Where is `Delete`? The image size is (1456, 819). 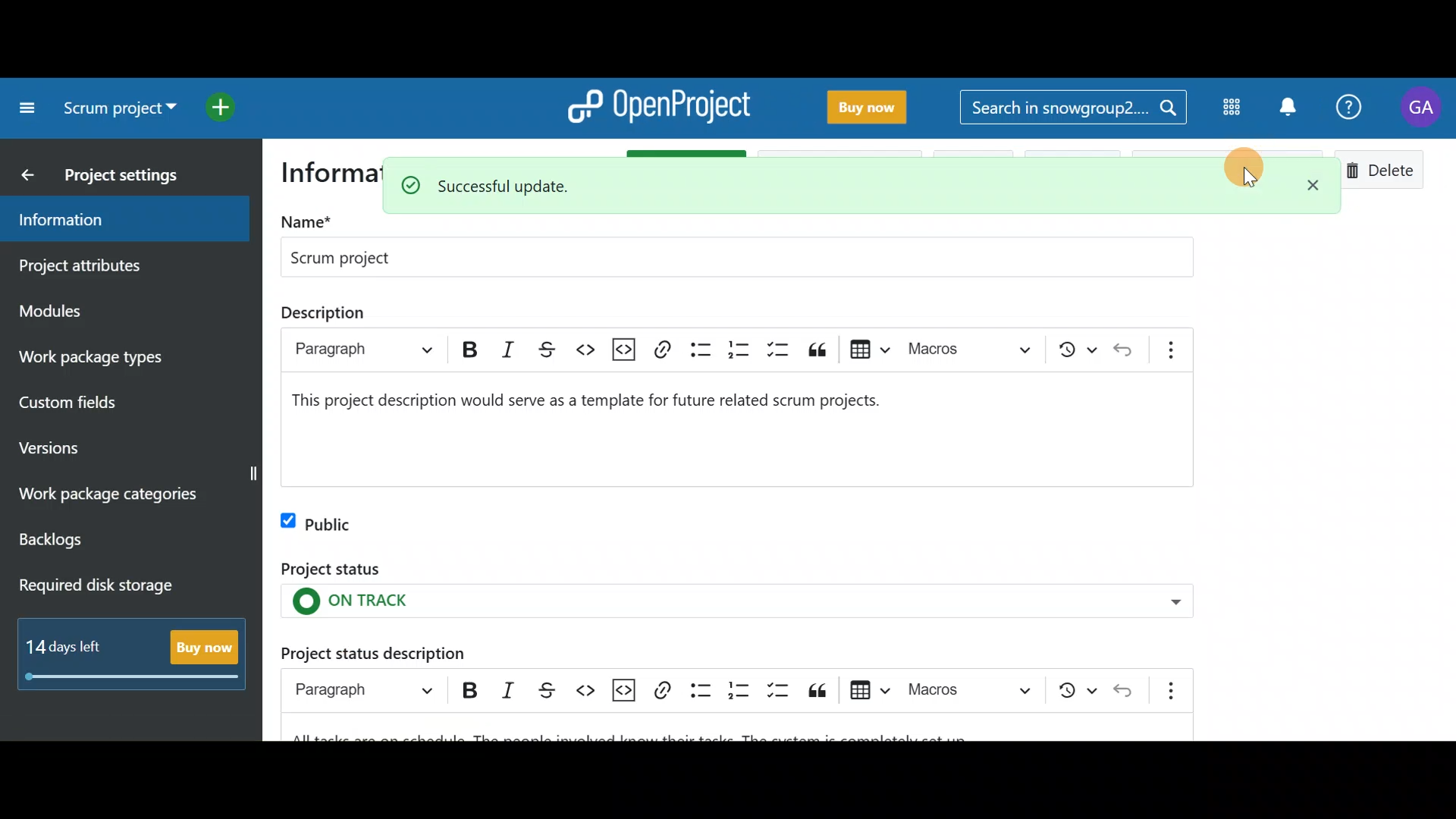
Delete is located at coordinates (1389, 169).